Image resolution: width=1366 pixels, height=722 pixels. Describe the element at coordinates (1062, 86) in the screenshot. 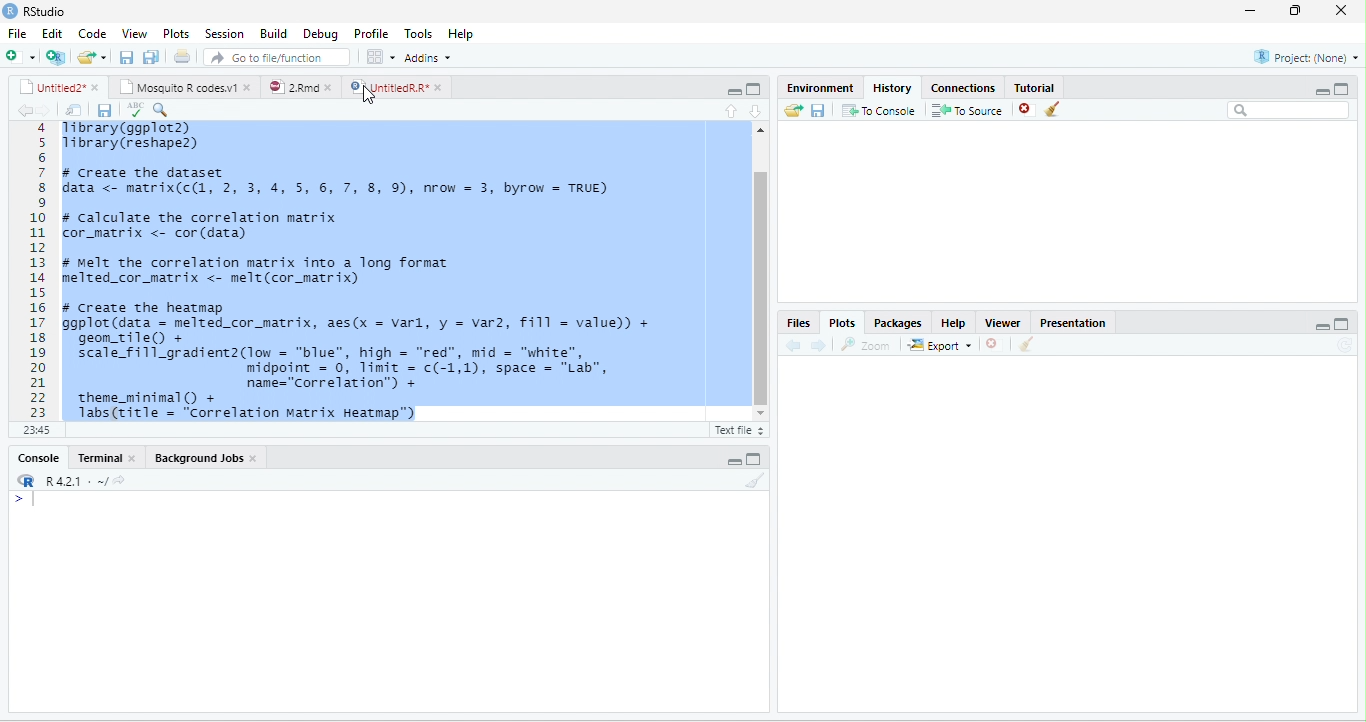

I see `tutorial` at that location.